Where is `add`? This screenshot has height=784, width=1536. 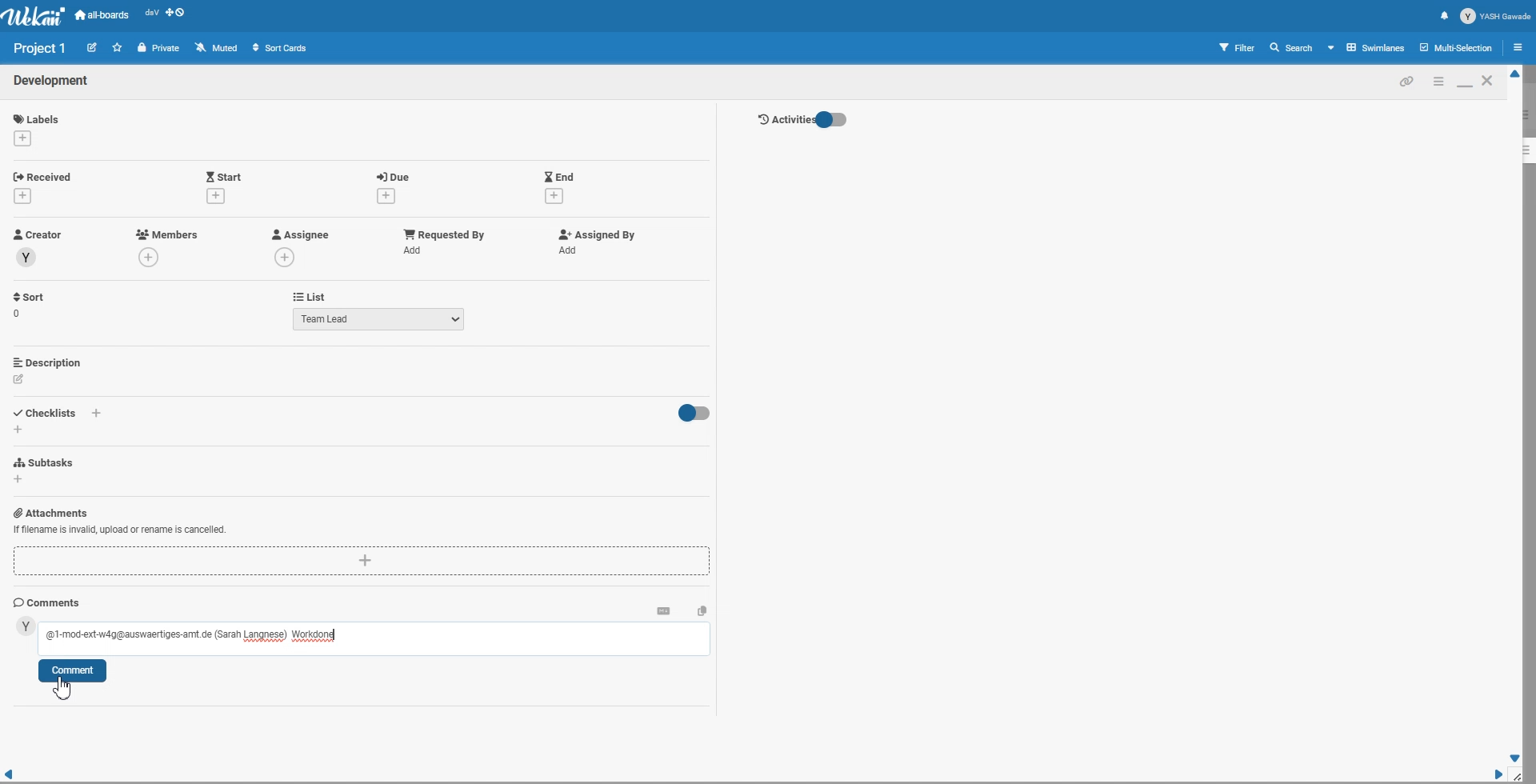
add is located at coordinates (286, 257).